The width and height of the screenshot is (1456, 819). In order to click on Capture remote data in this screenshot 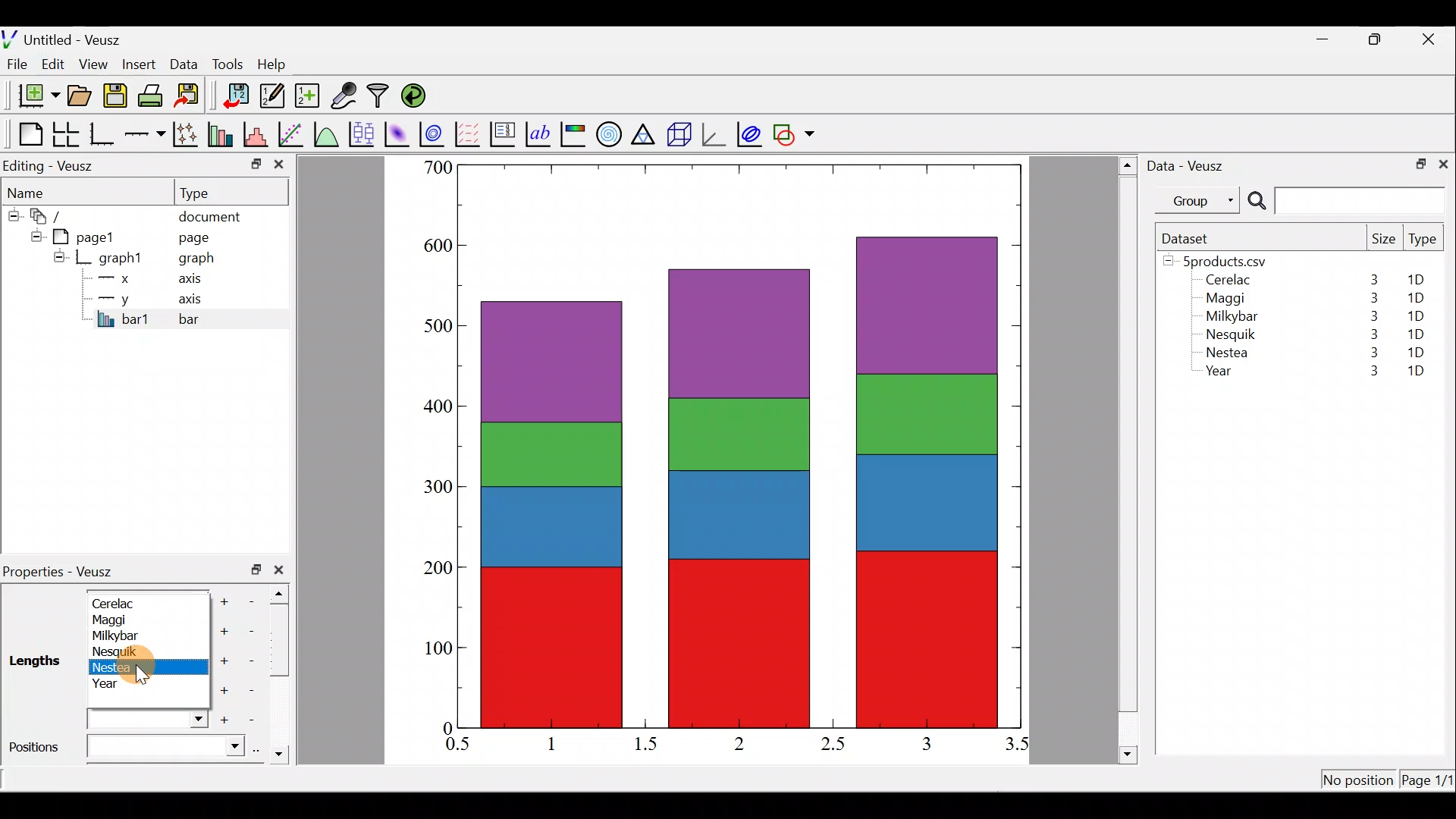, I will do `click(345, 96)`.